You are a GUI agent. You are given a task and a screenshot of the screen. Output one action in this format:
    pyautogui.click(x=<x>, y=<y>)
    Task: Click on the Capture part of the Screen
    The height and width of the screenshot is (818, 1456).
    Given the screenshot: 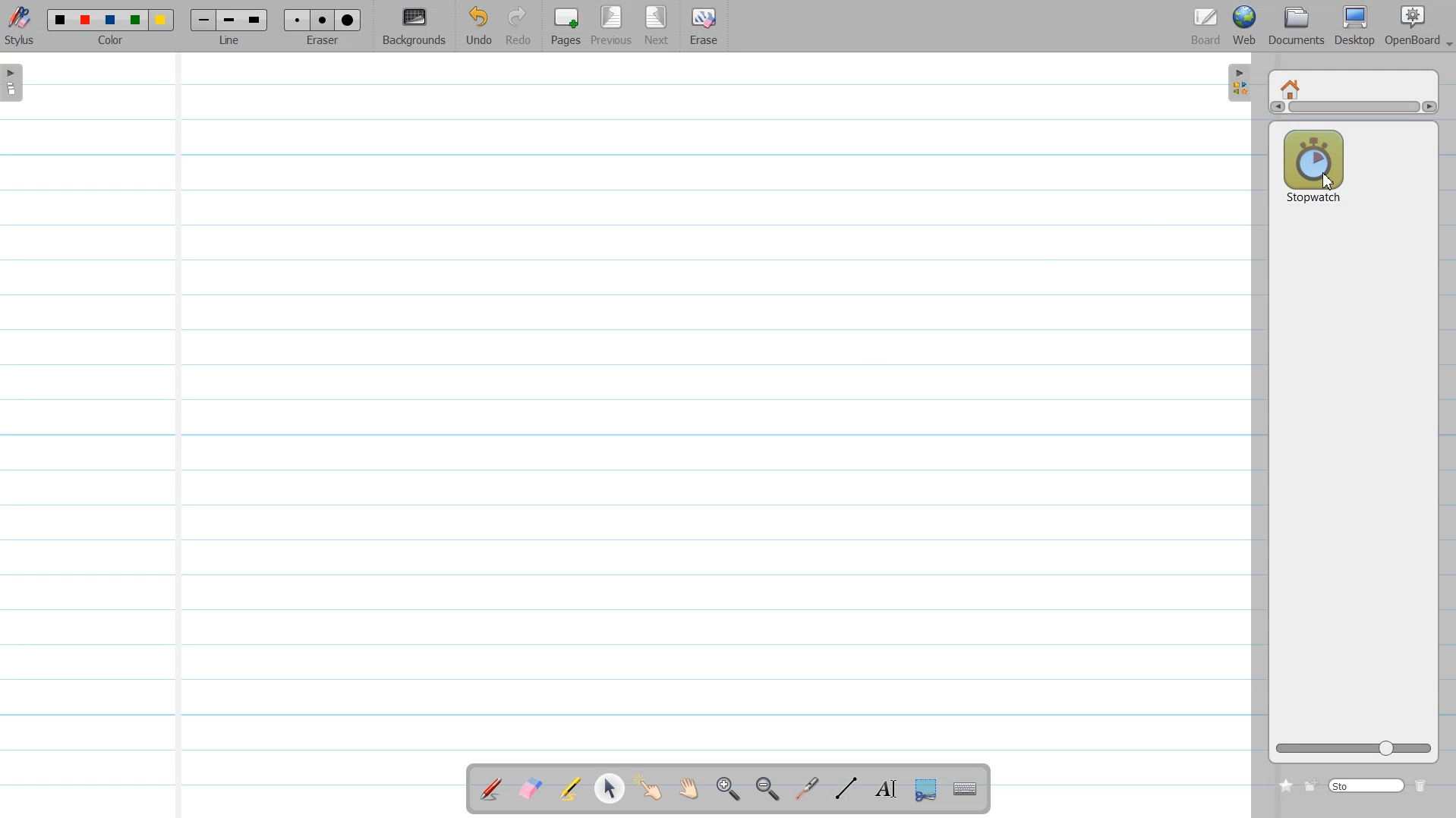 What is the action you would take?
    pyautogui.click(x=927, y=790)
    